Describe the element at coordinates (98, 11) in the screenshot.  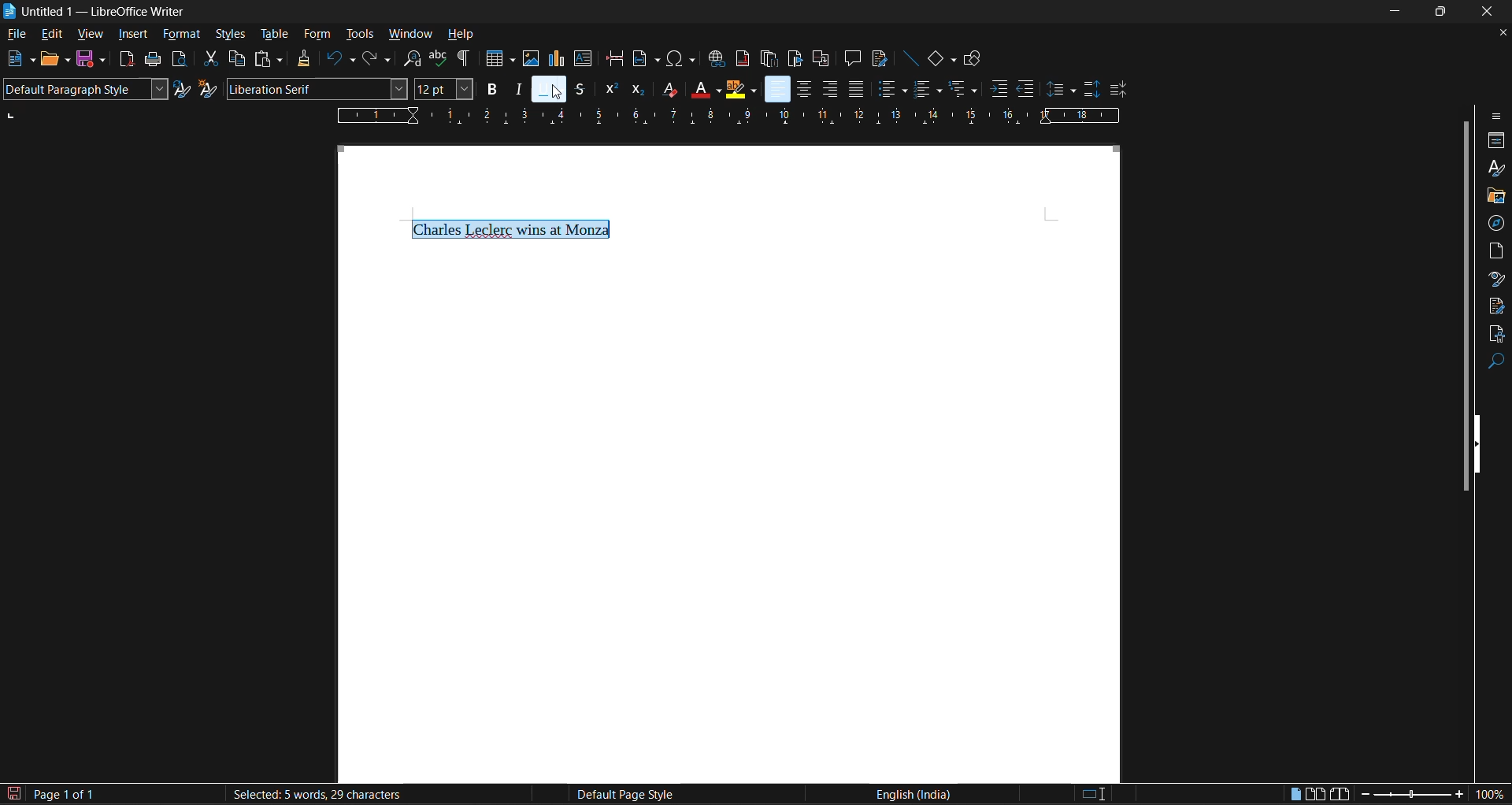
I see `app and document name` at that location.